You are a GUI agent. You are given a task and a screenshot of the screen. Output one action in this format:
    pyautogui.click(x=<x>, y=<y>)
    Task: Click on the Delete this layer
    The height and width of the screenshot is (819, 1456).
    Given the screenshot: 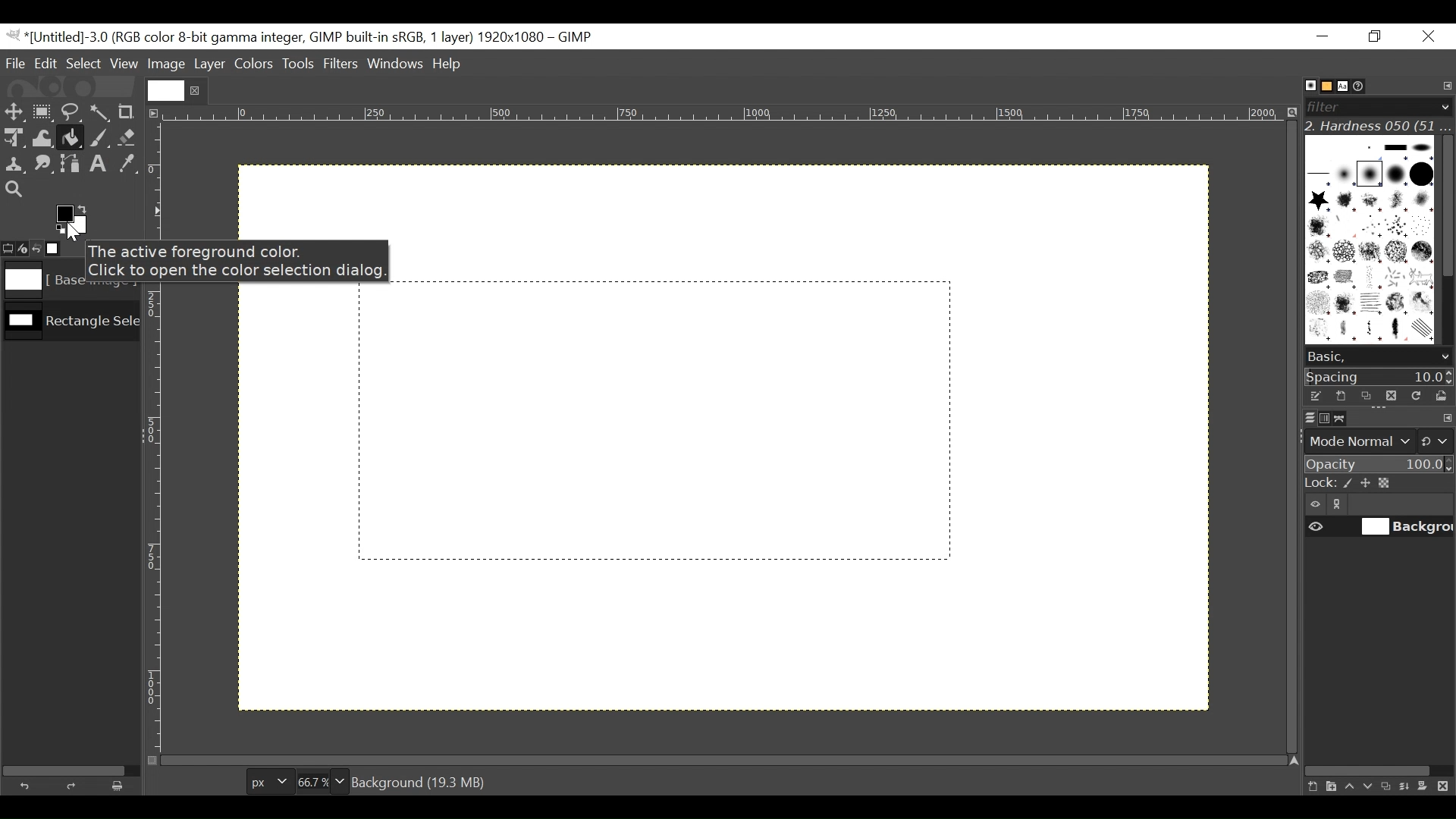 What is the action you would take?
    pyautogui.click(x=1446, y=787)
    